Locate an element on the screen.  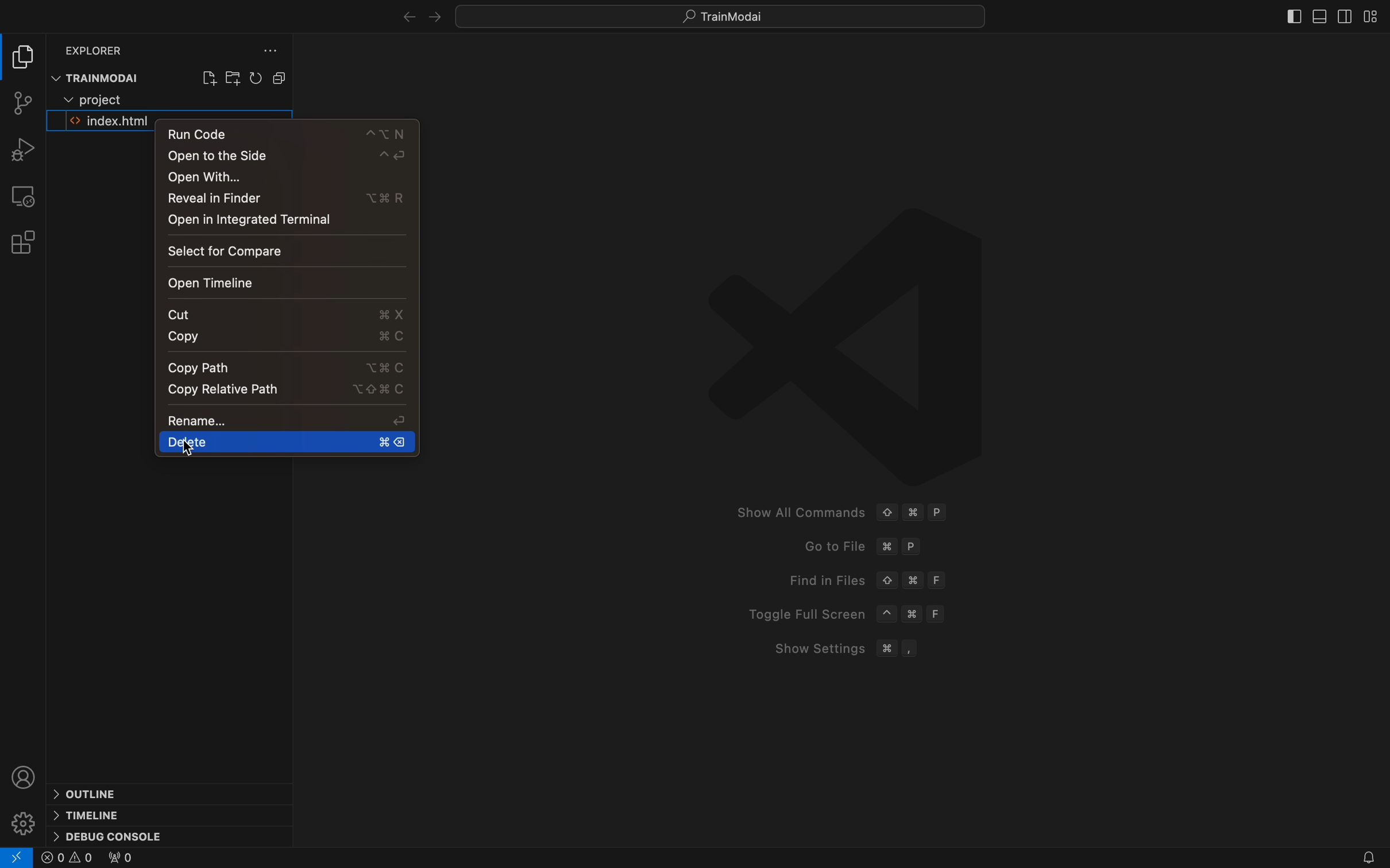
open timeline is located at coordinates (266, 280).